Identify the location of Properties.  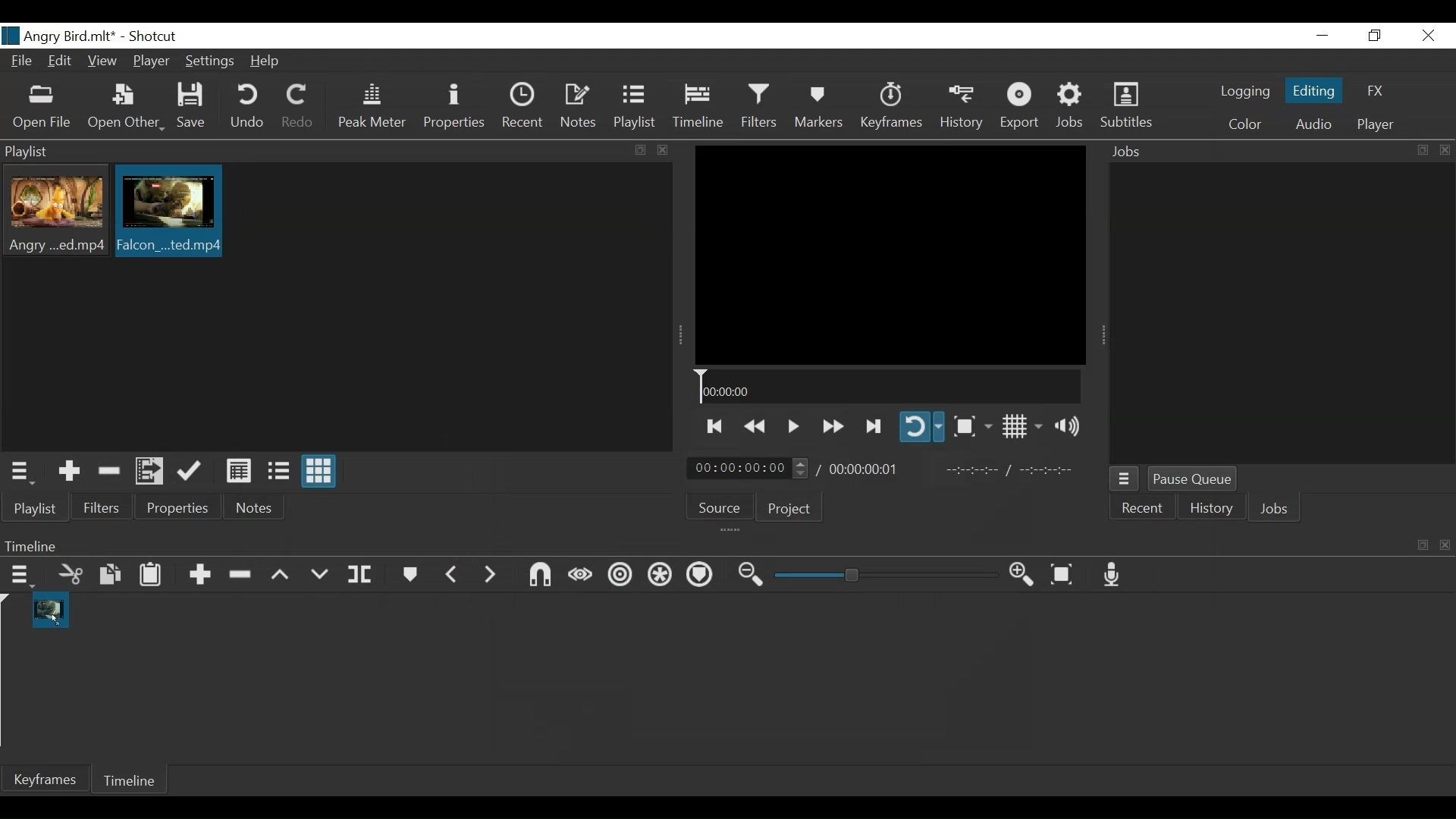
(175, 507).